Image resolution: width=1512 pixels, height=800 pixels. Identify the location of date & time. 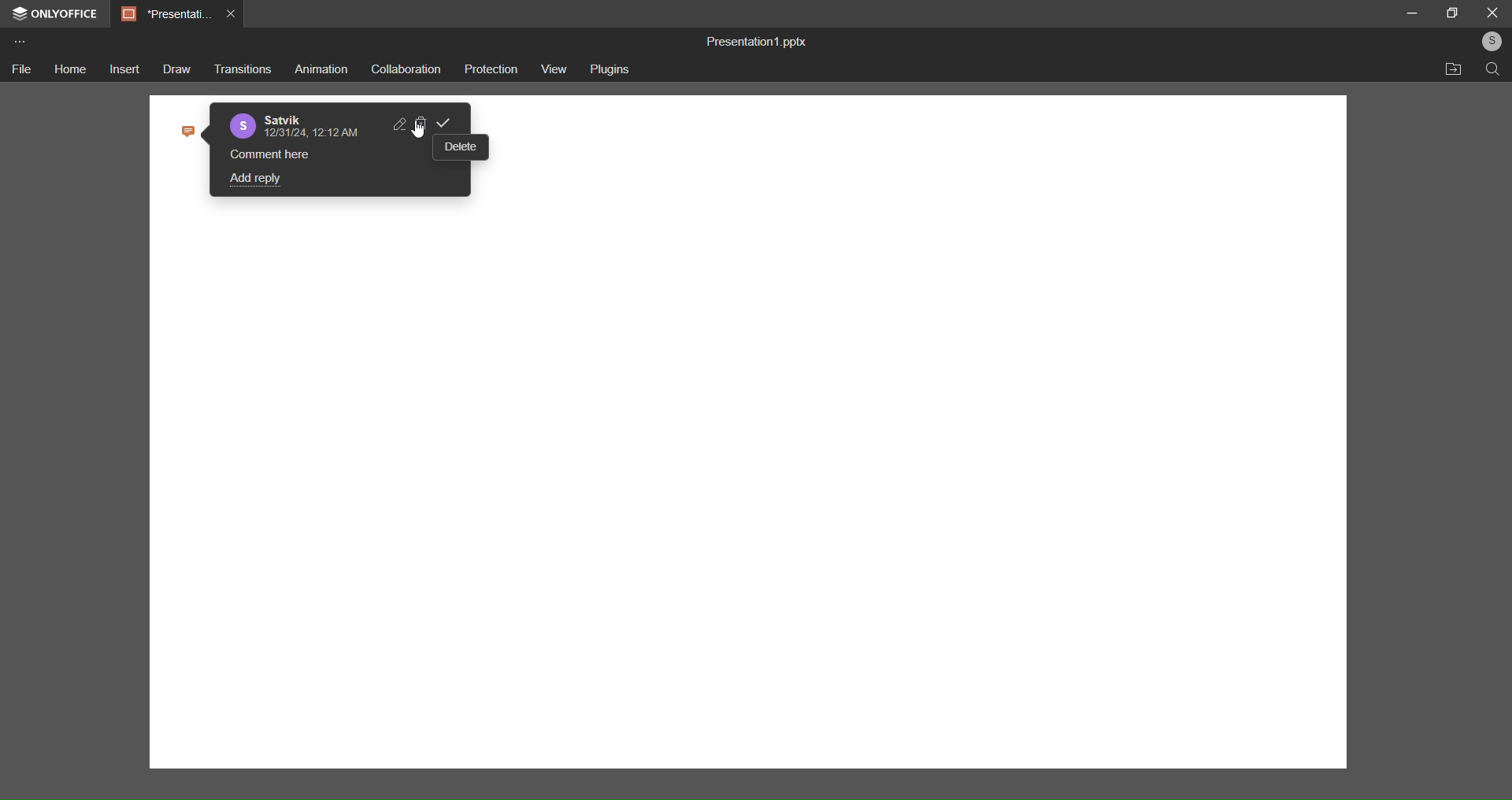
(313, 134).